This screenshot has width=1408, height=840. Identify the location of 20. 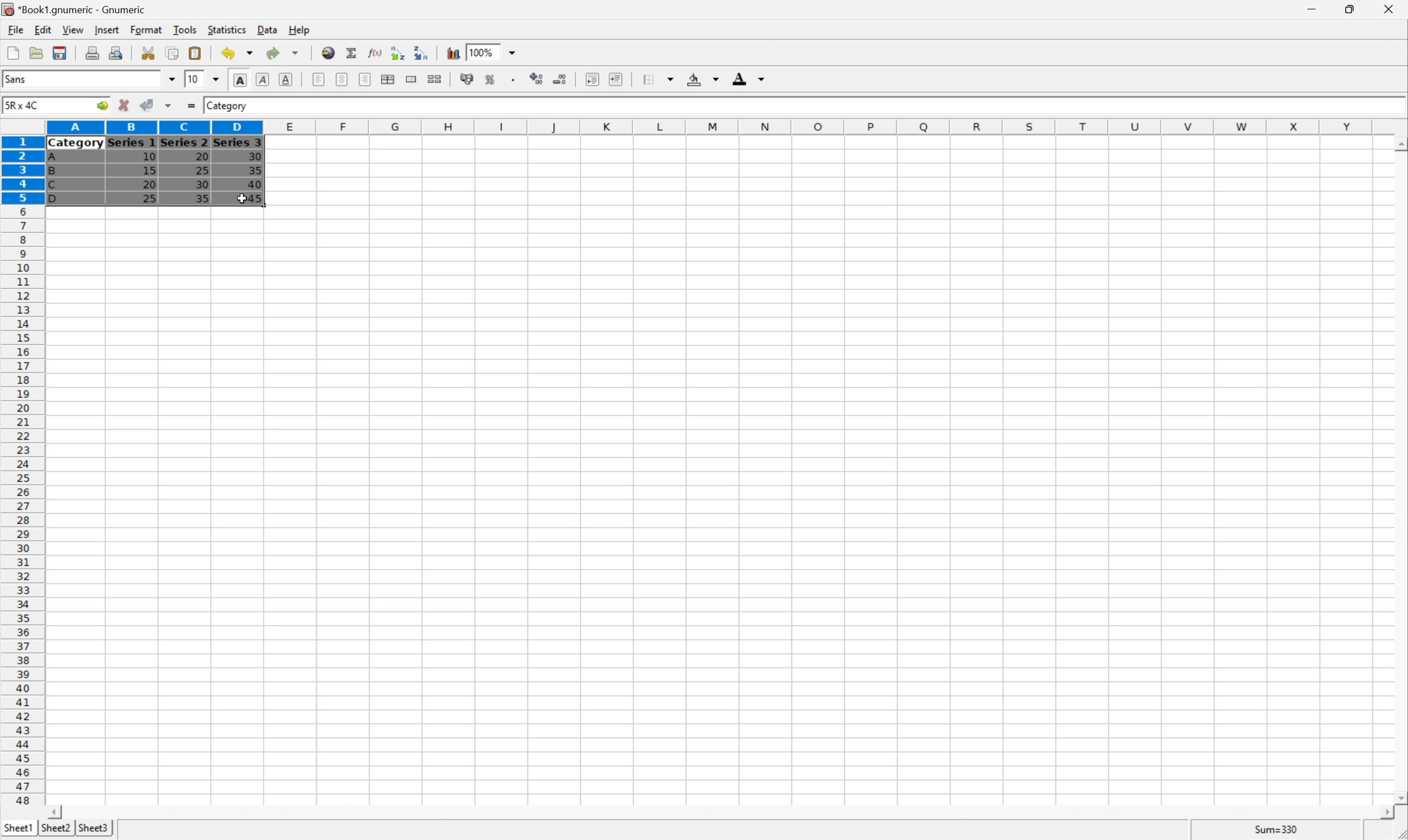
(200, 155).